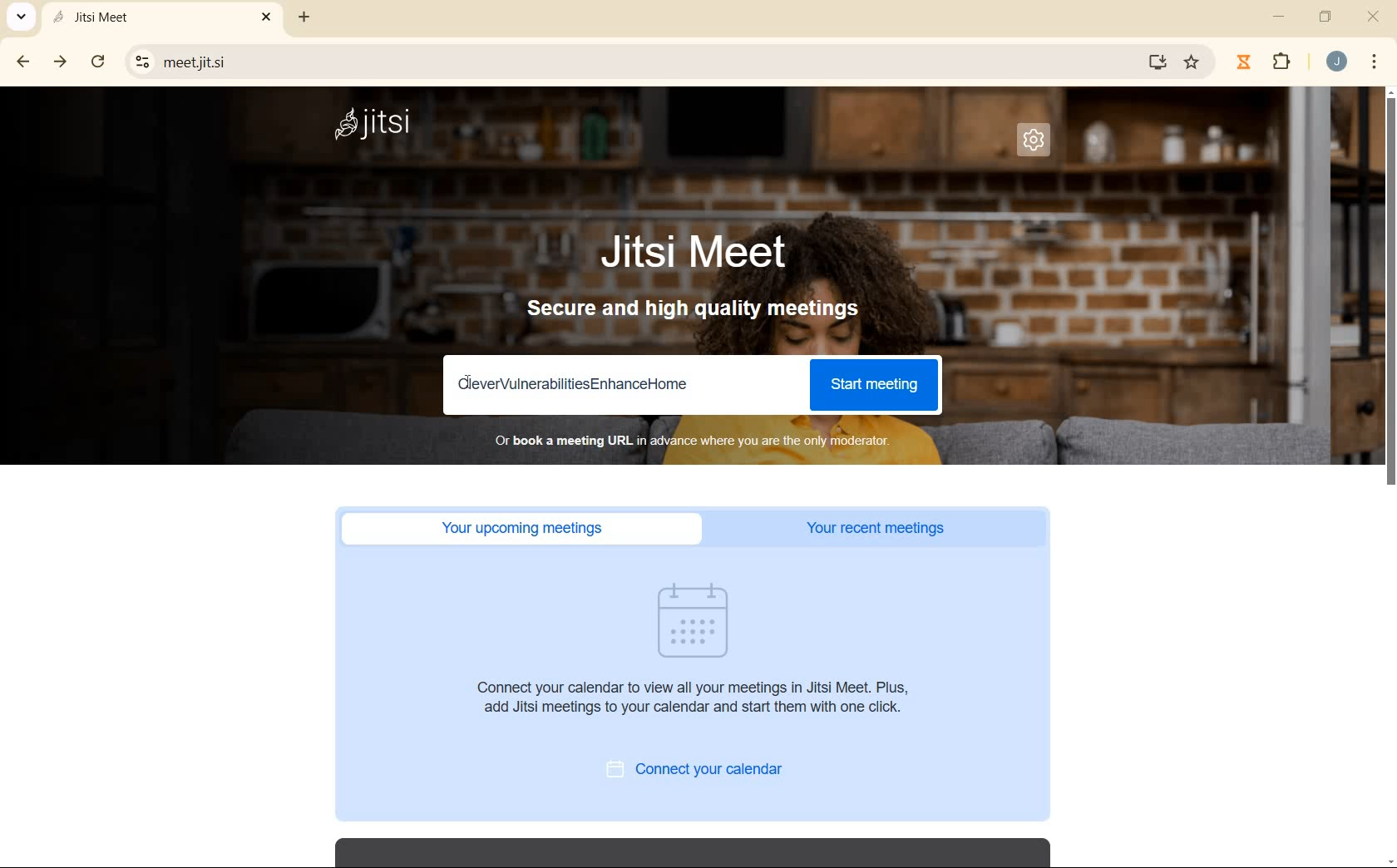 The height and width of the screenshot is (868, 1397). Describe the element at coordinates (1191, 65) in the screenshot. I see `Favorite` at that location.